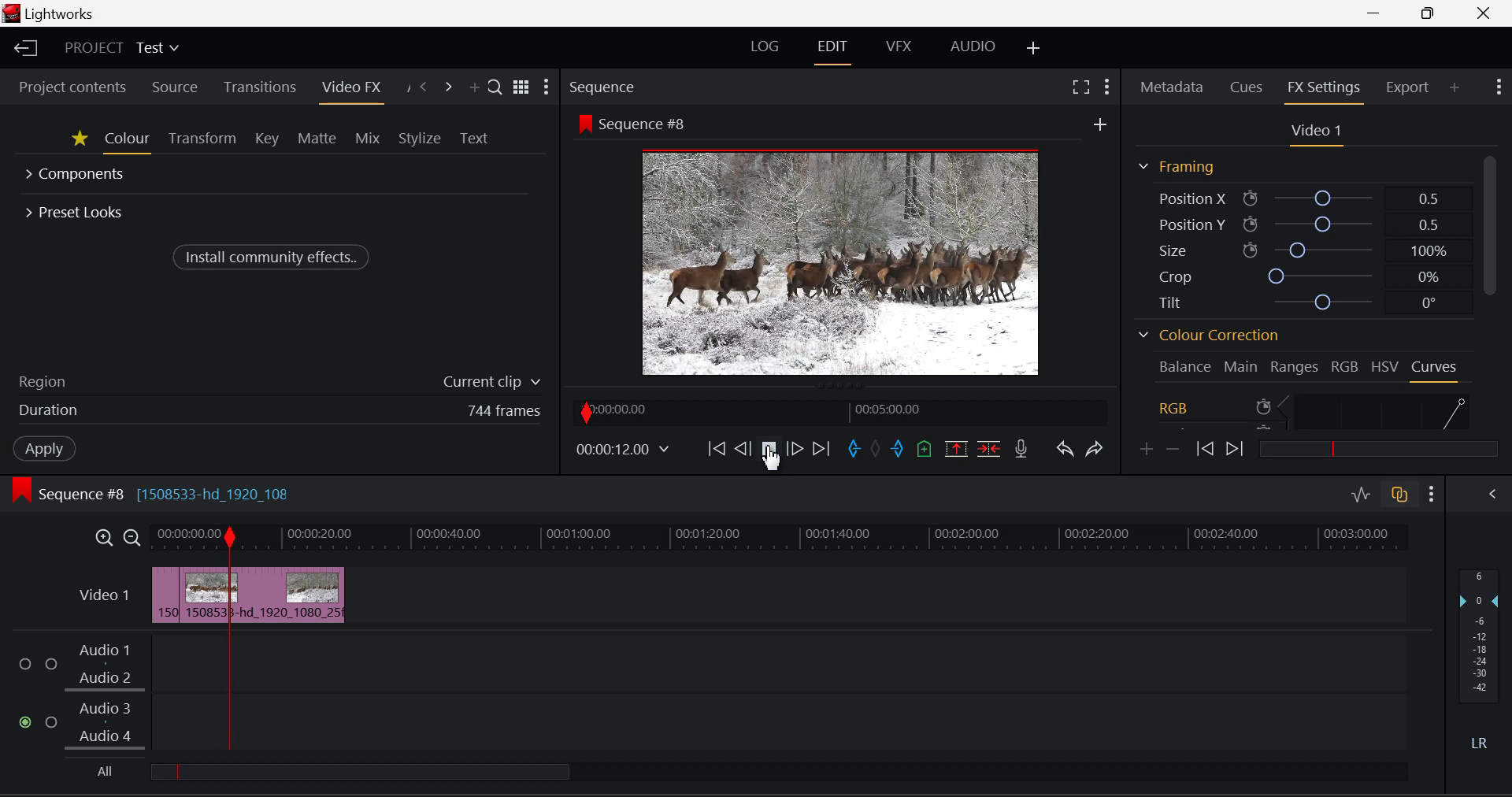 The image size is (1512, 797). I want to click on Show Settings, so click(1110, 86).